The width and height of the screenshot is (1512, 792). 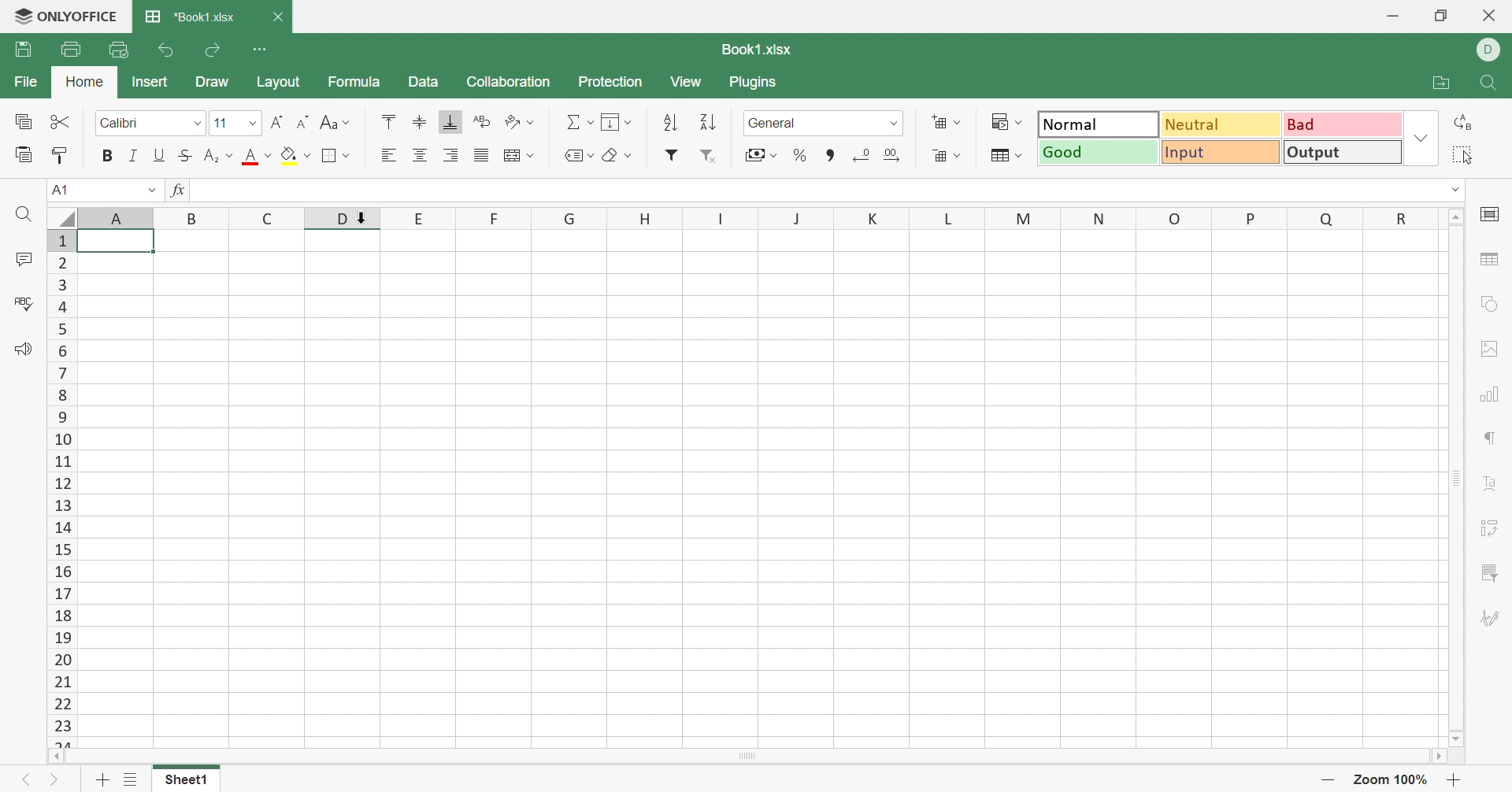 I want to click on Replace, so click(x=1460, y=124).